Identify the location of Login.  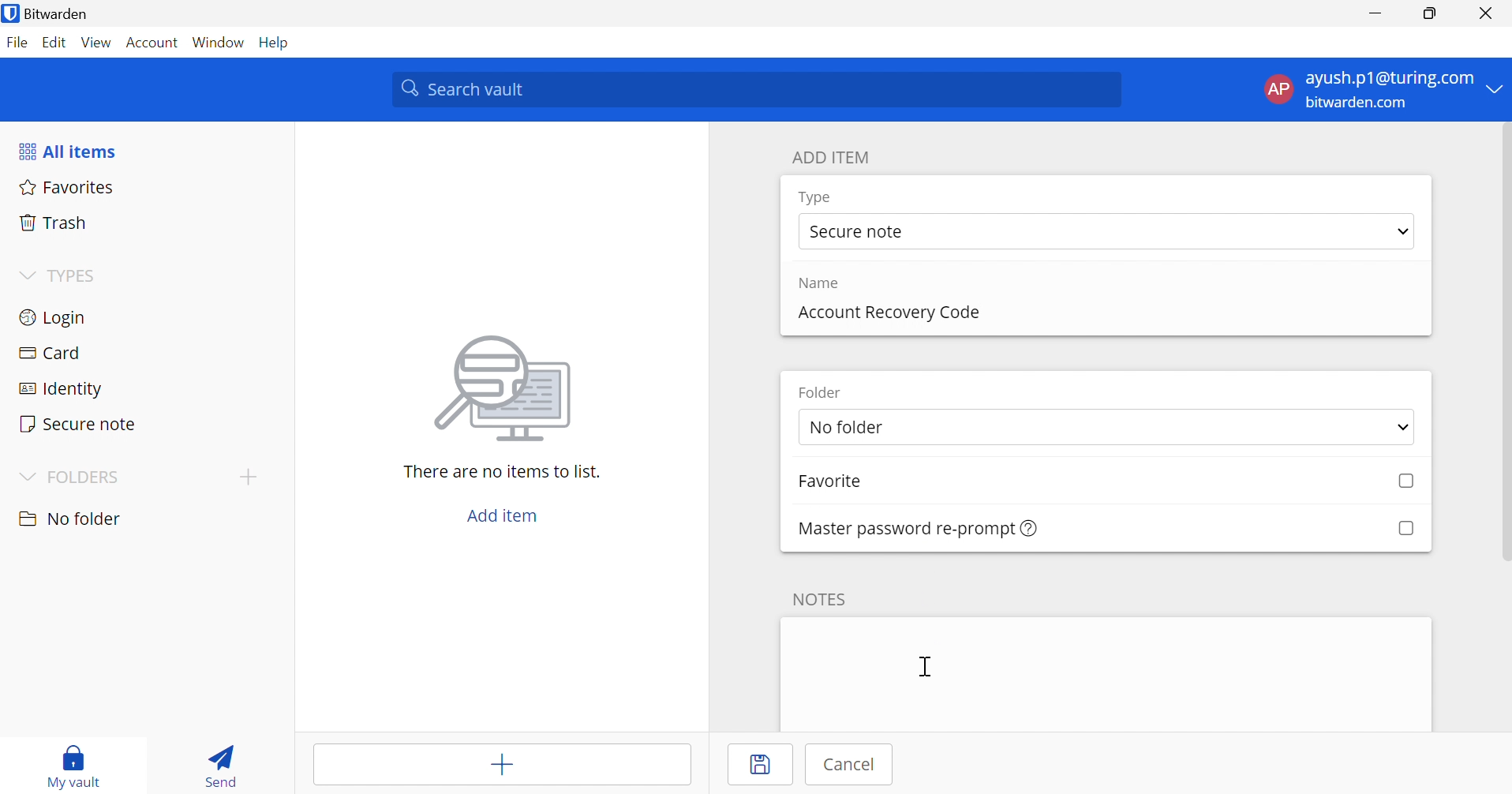
(51, 320).